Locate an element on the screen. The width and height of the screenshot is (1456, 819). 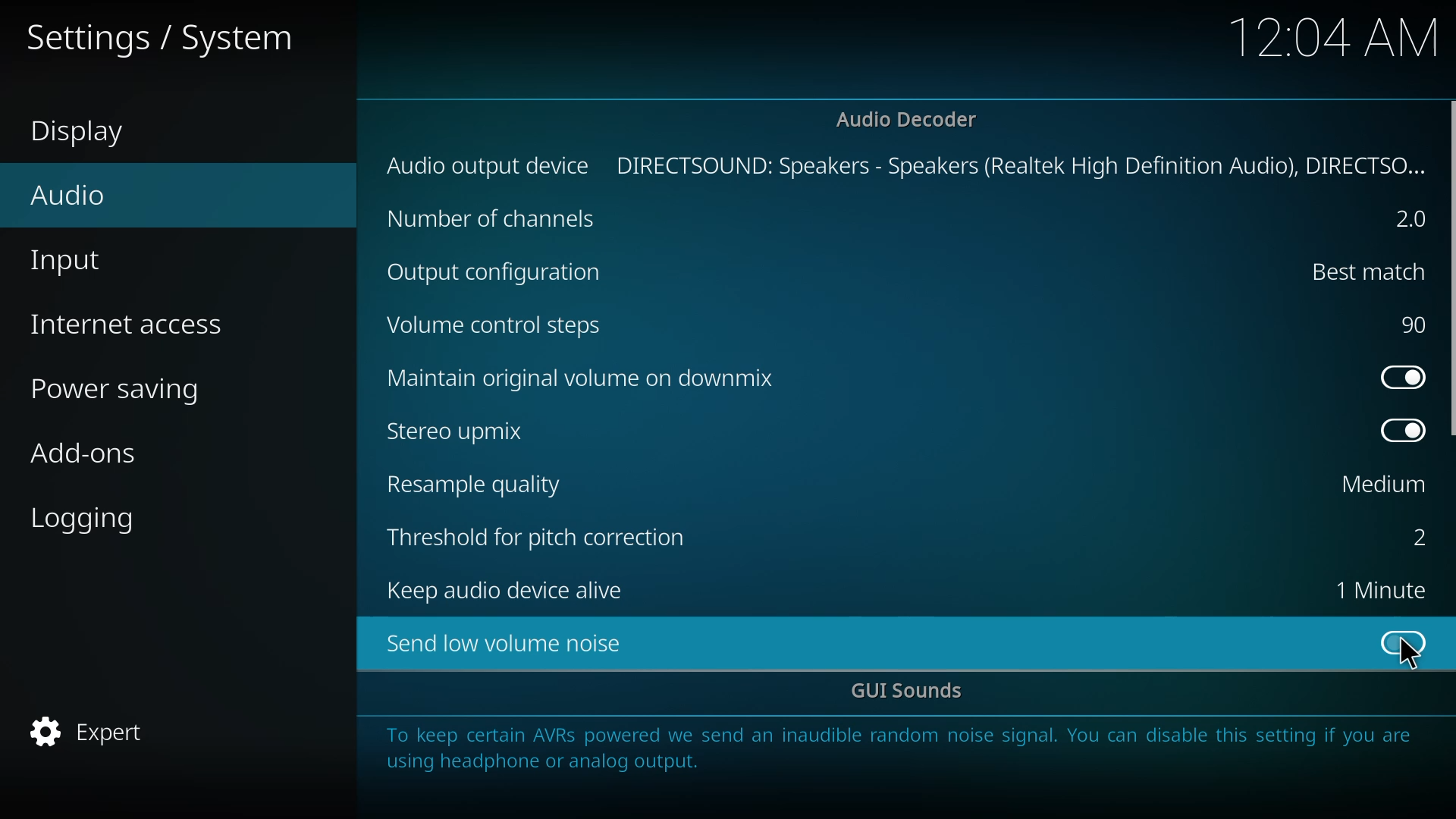
output cofig is located at coordinates (497, 270).